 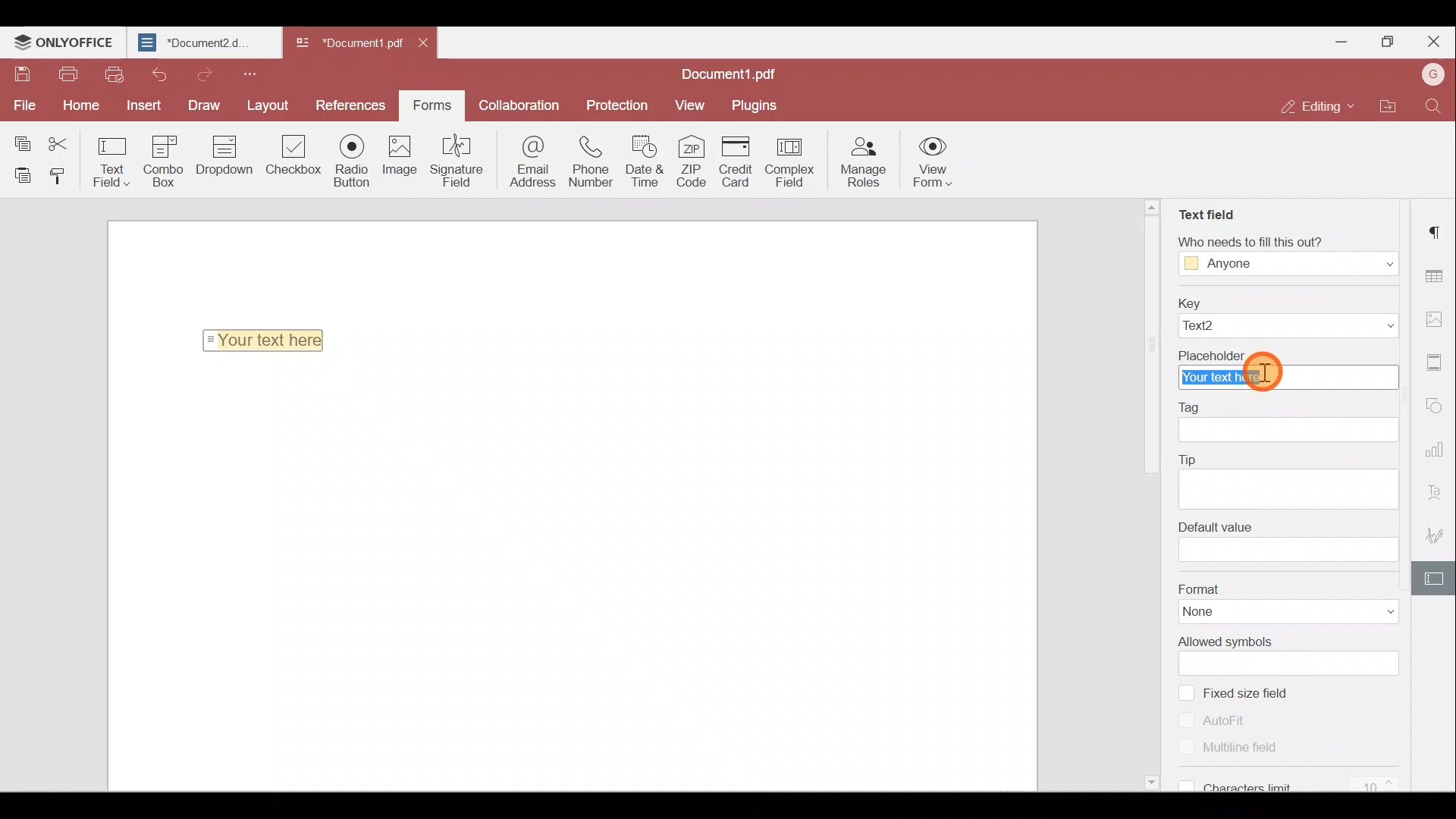 I want to click on Who needs to fill this out?, so click(x=1279, y=239).